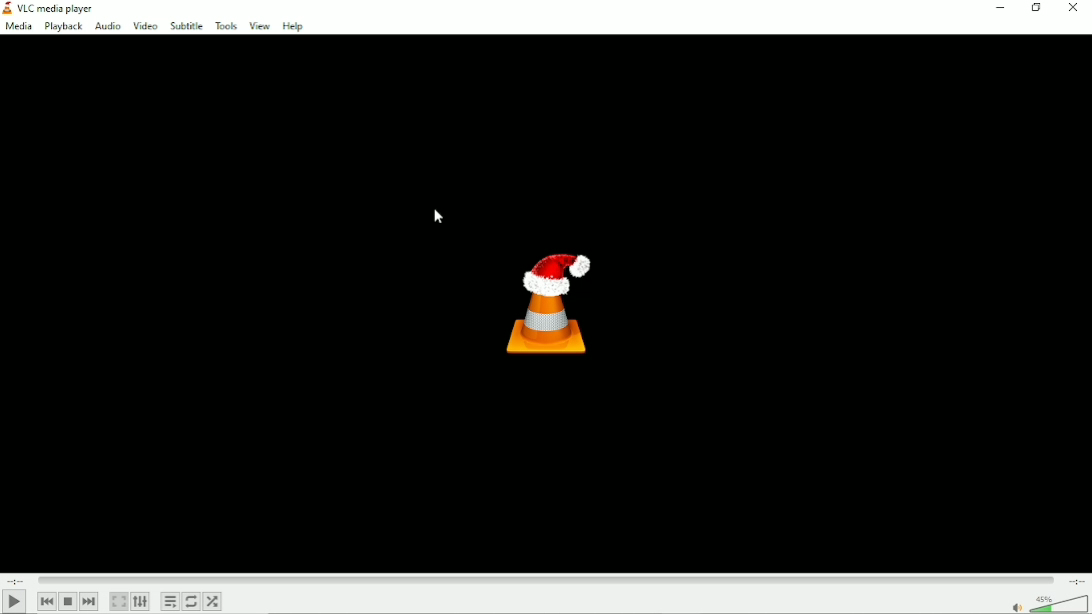 This screenshot has height=614, width=1092. I want to click on restore down, so click(1036, 9).